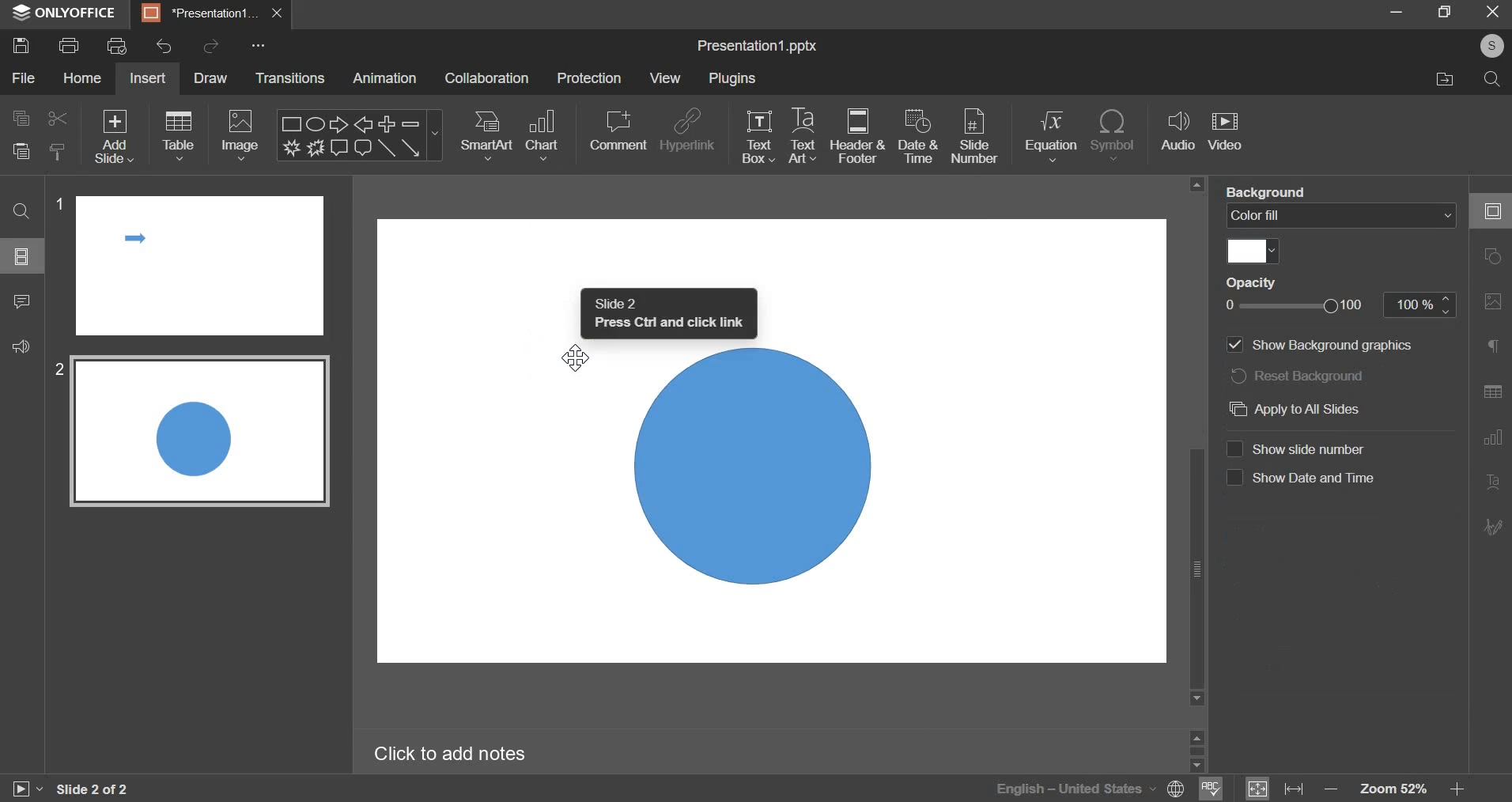 This screenshot has width=1512, height=802. Describe the element at coordinates (290, 147) in the screenshot. I see `Explosion 1` at that location.